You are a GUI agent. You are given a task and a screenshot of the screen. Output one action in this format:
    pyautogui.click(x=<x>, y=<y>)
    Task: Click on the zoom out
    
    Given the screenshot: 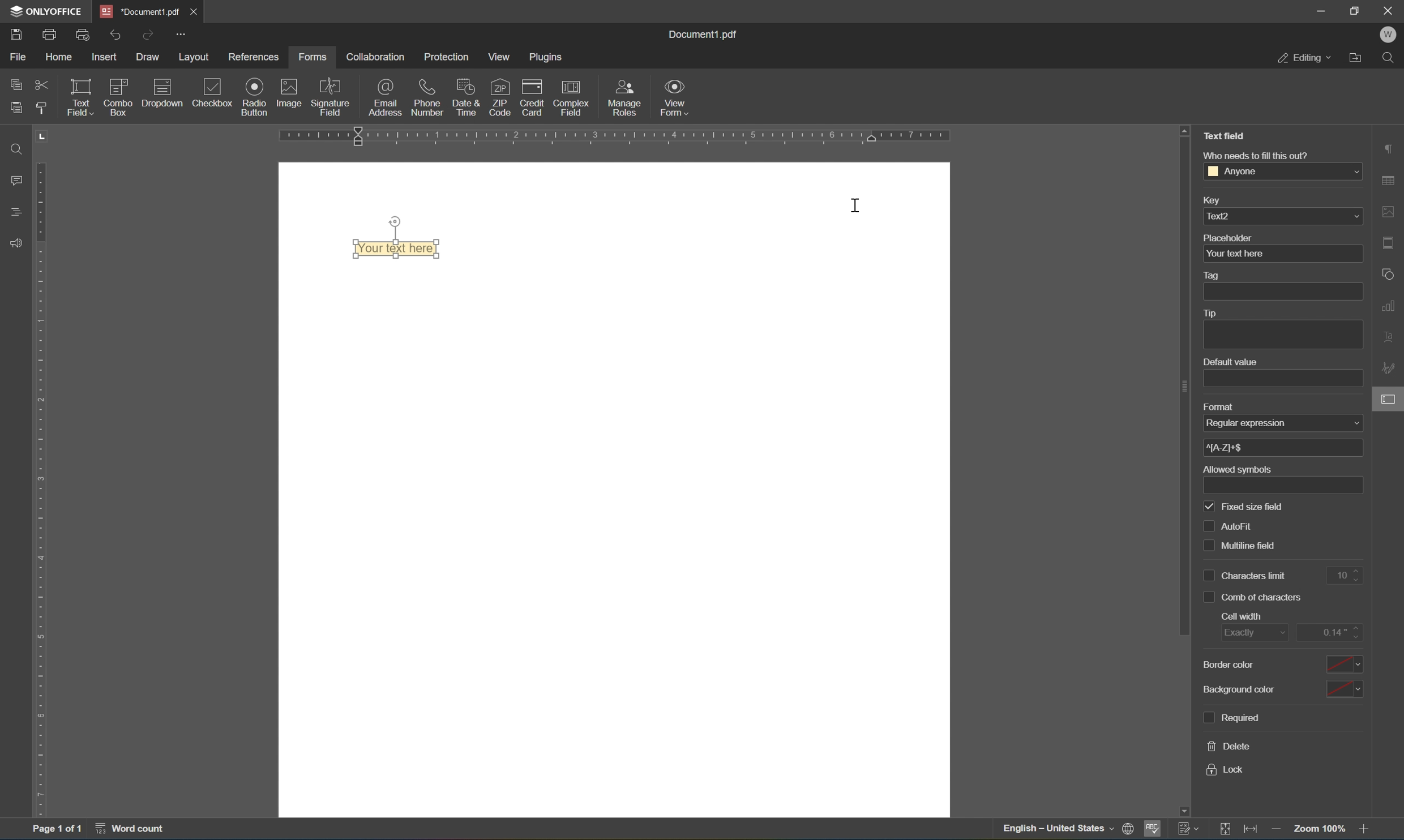 What is the action you would take?
    pyautogui.click(x=1278, y=830)
    